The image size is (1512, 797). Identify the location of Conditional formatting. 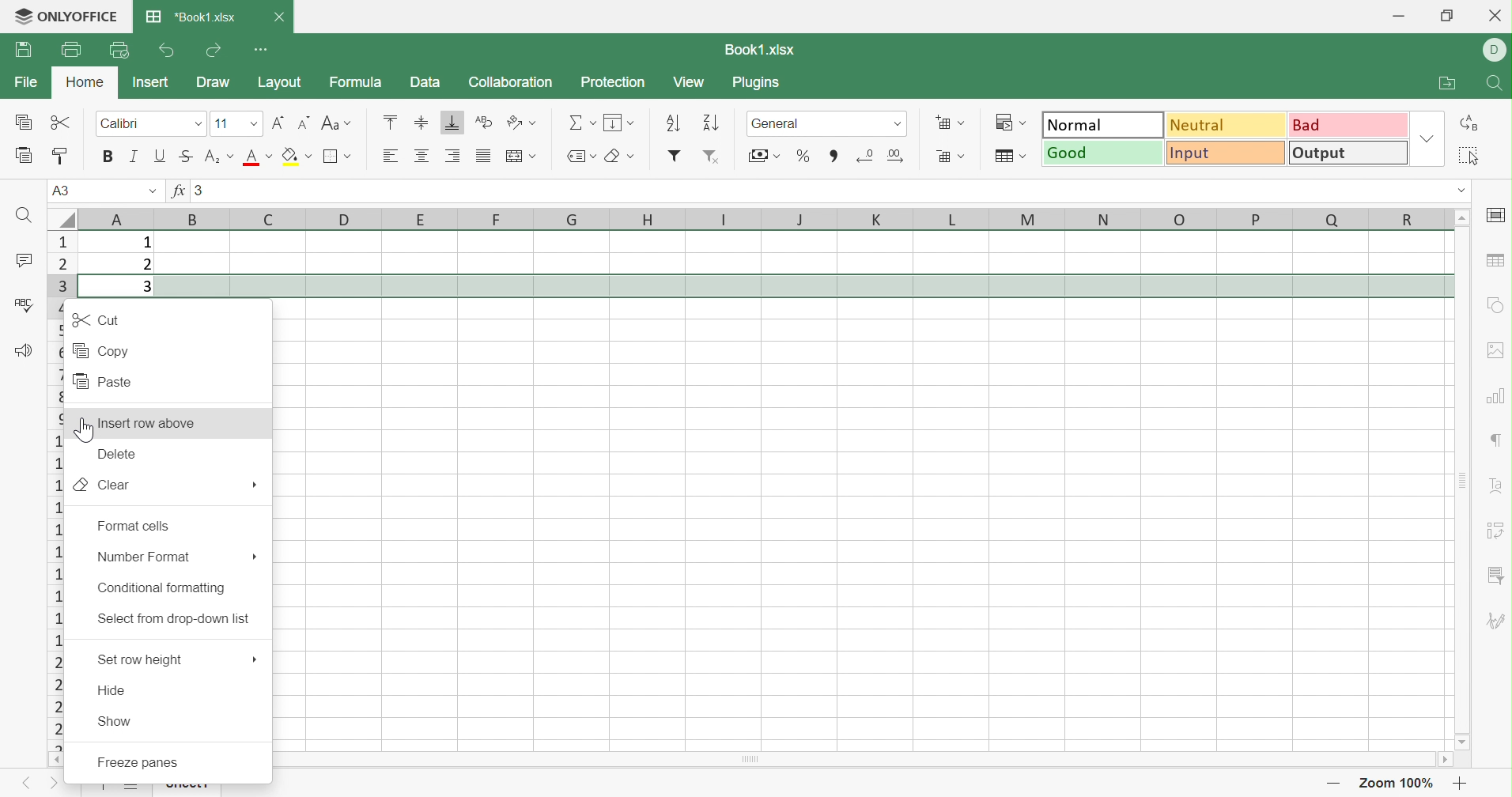
(164, 587).